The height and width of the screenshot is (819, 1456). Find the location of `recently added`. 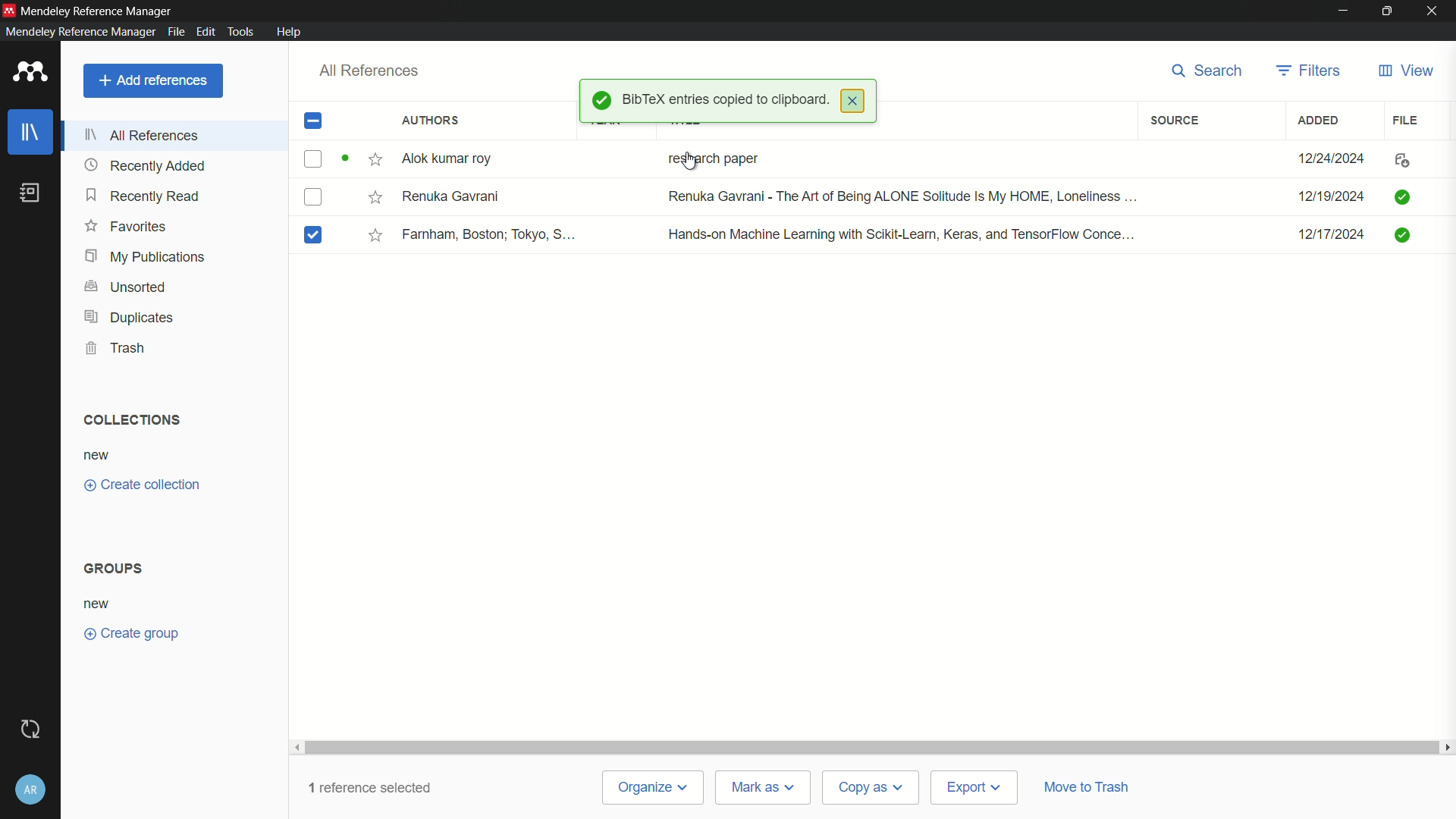

recently added is located at coordinates (145, 165).